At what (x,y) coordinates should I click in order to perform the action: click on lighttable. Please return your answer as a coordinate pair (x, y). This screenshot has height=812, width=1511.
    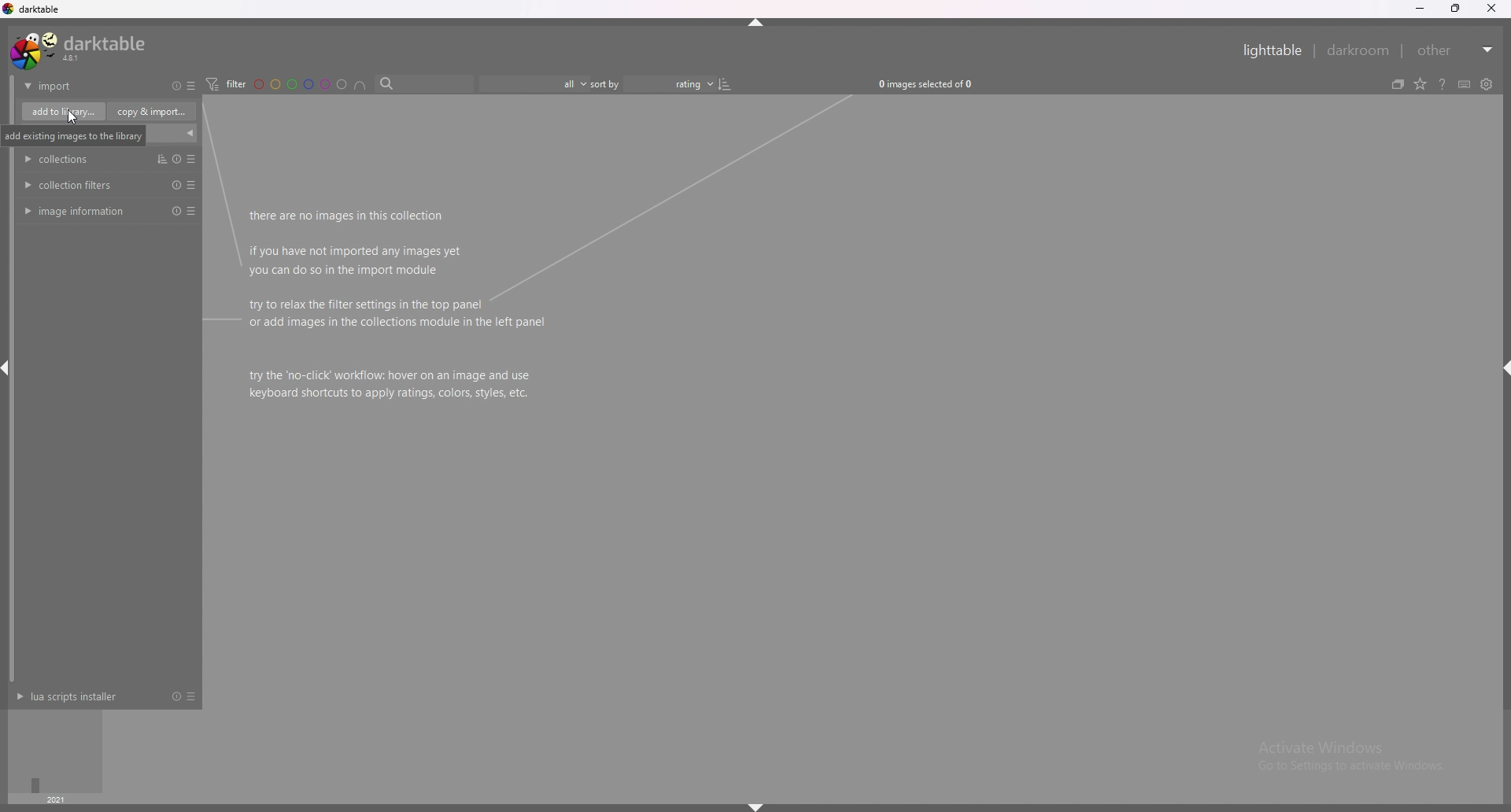
    Looking at the image, I should click on (1275, 50).